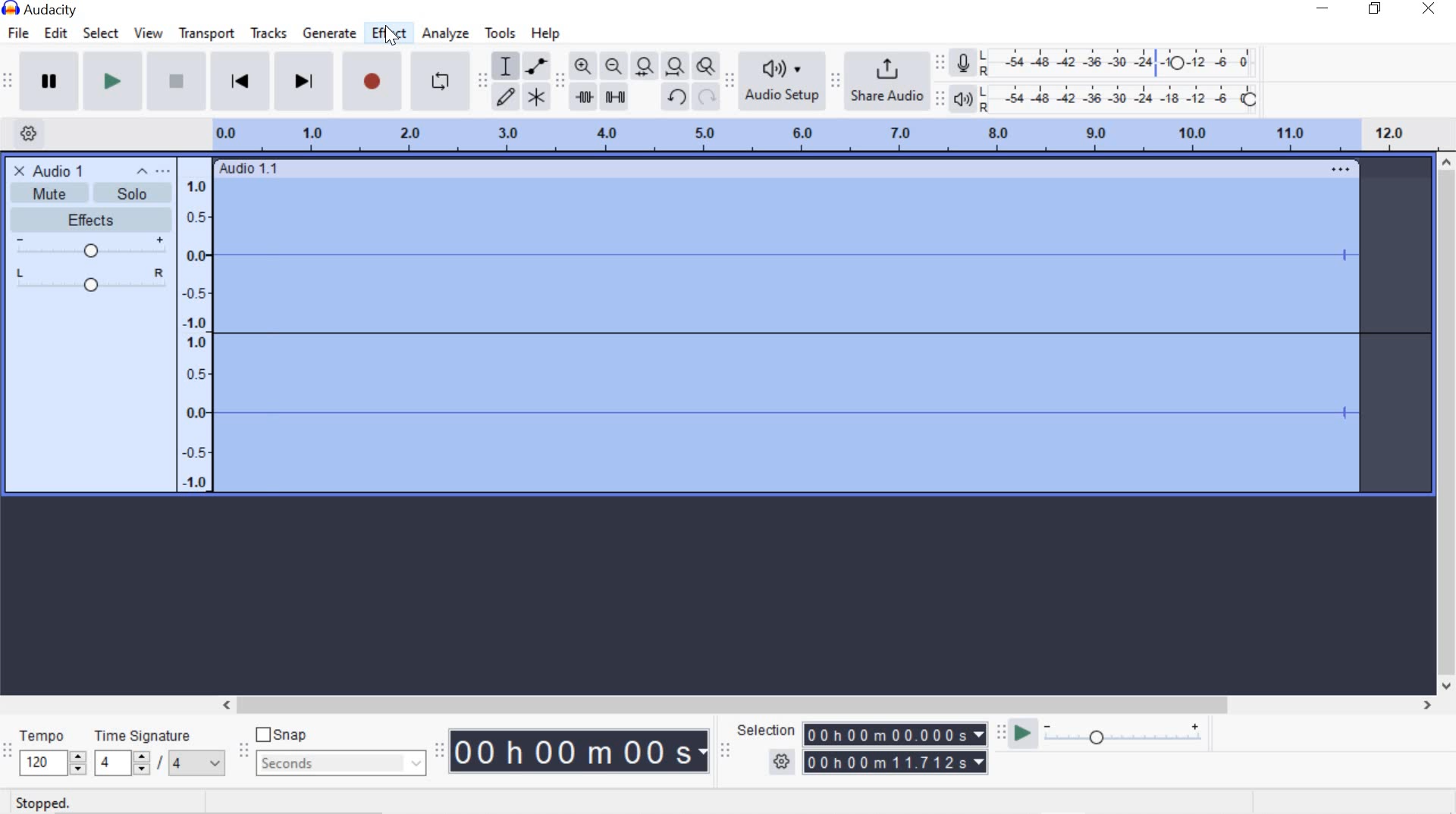 The width and height of the screenshot is (1456, 814). What do you see at coordinates (268, 35) in the screenshot?
I see `tracks` at bounding box center [268, 35].